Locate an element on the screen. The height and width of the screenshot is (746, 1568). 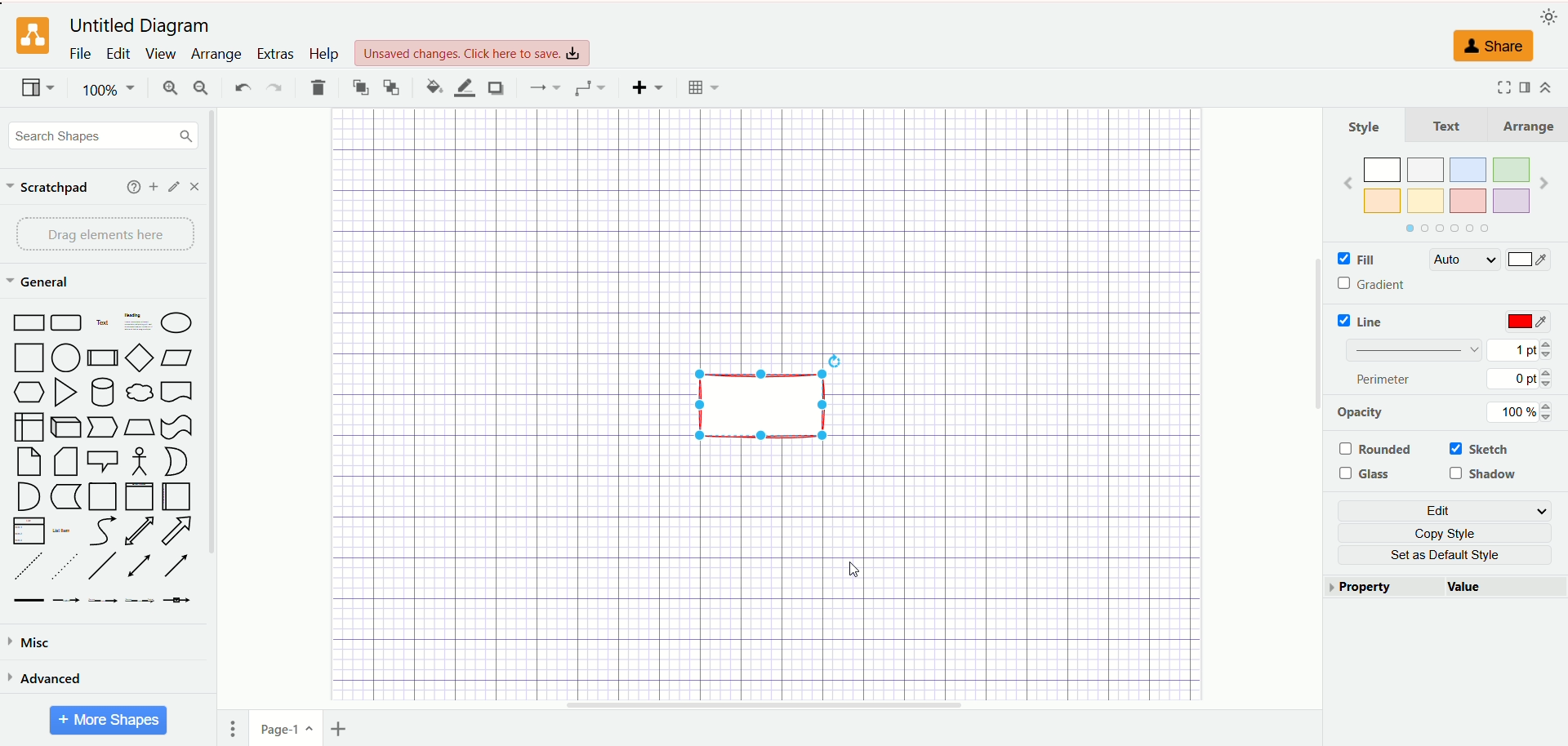
edit is located at coordinates (115, 52).